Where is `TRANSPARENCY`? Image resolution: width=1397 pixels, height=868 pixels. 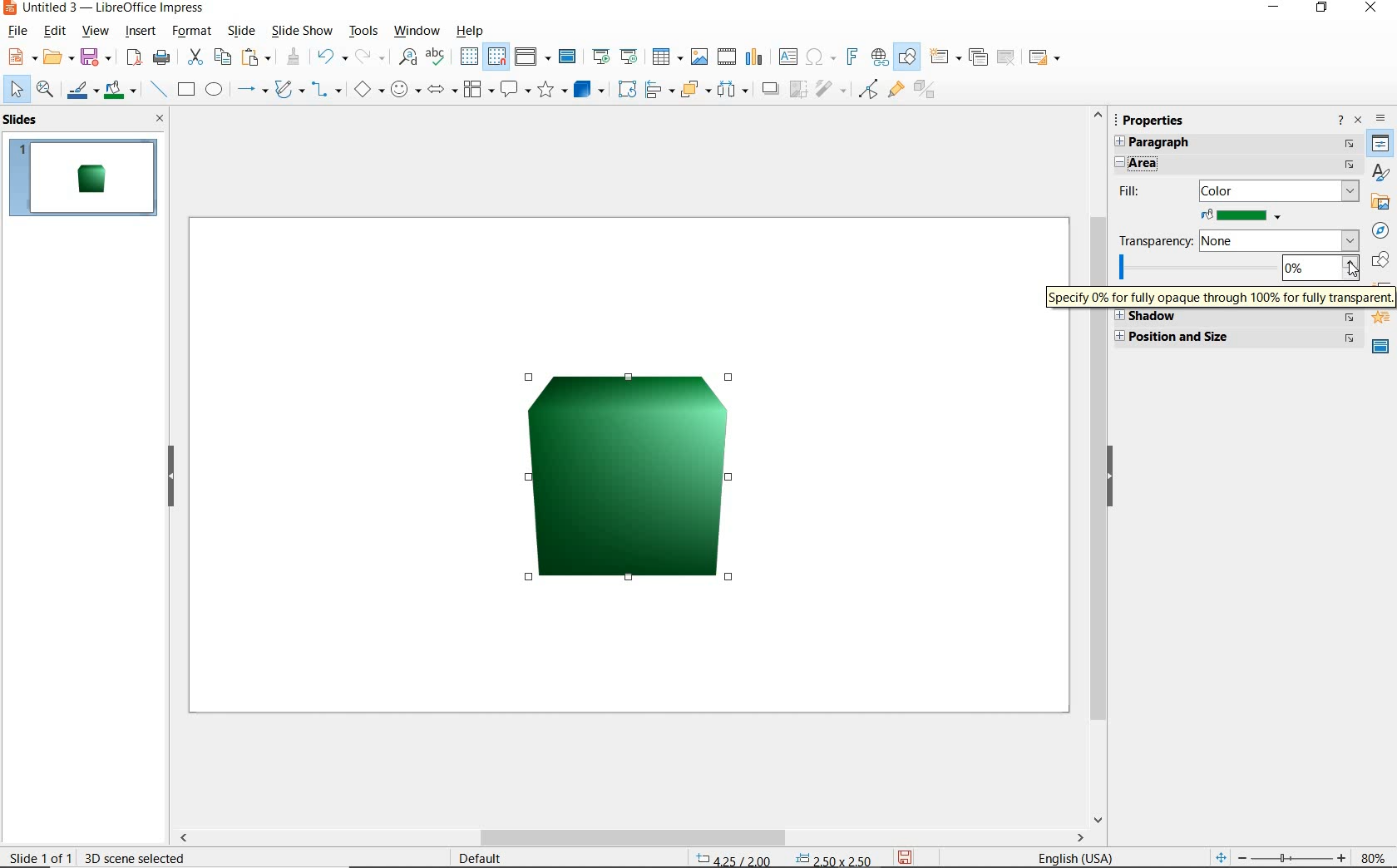
TRANSPARENCY is located at coordinates (1237, 239).